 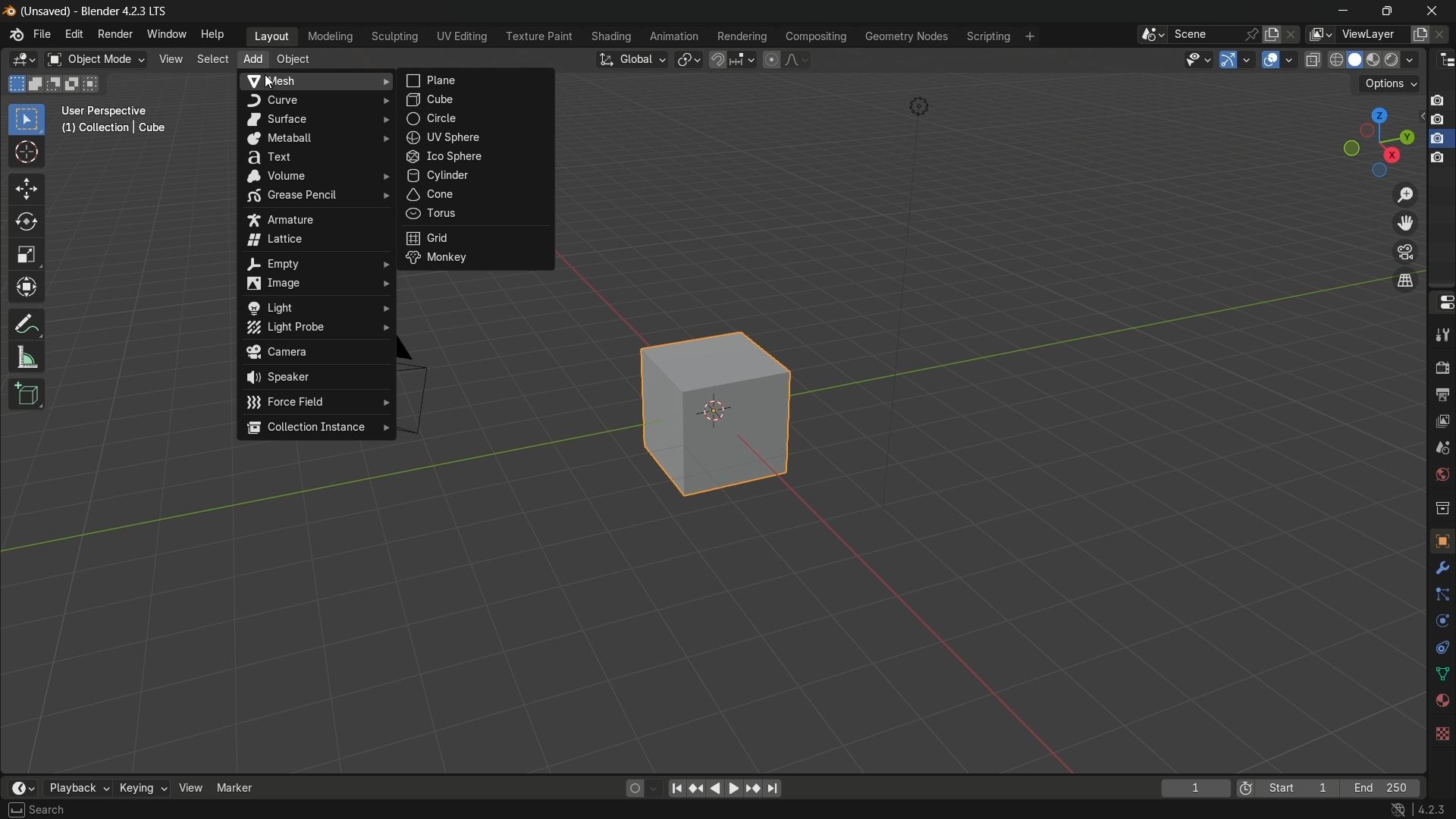 What do you see at coordinates (1438, 159) in the screenshot?
I see `layer 4` at bounding box center [1438, 159].